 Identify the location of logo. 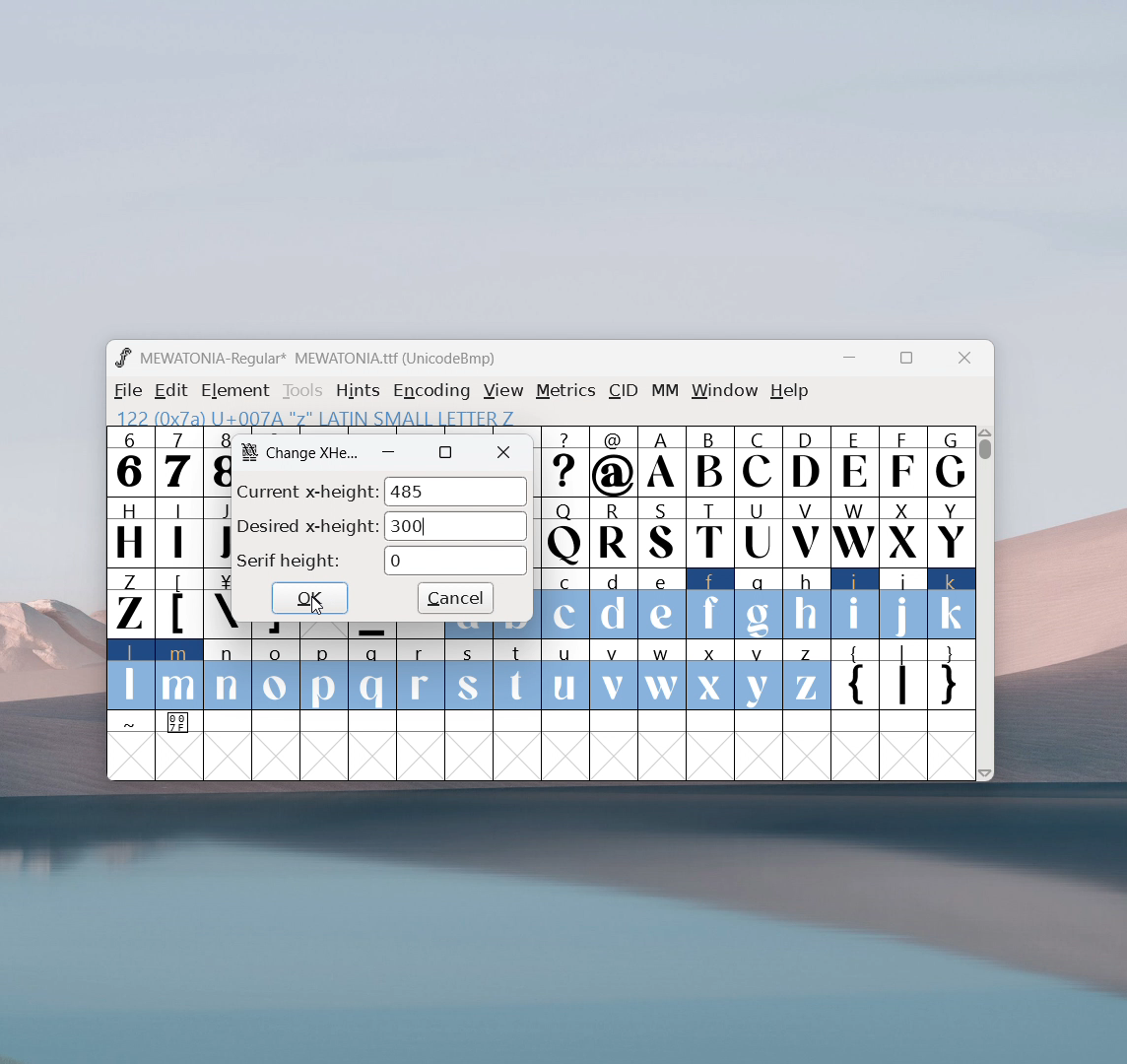
(249, 451).